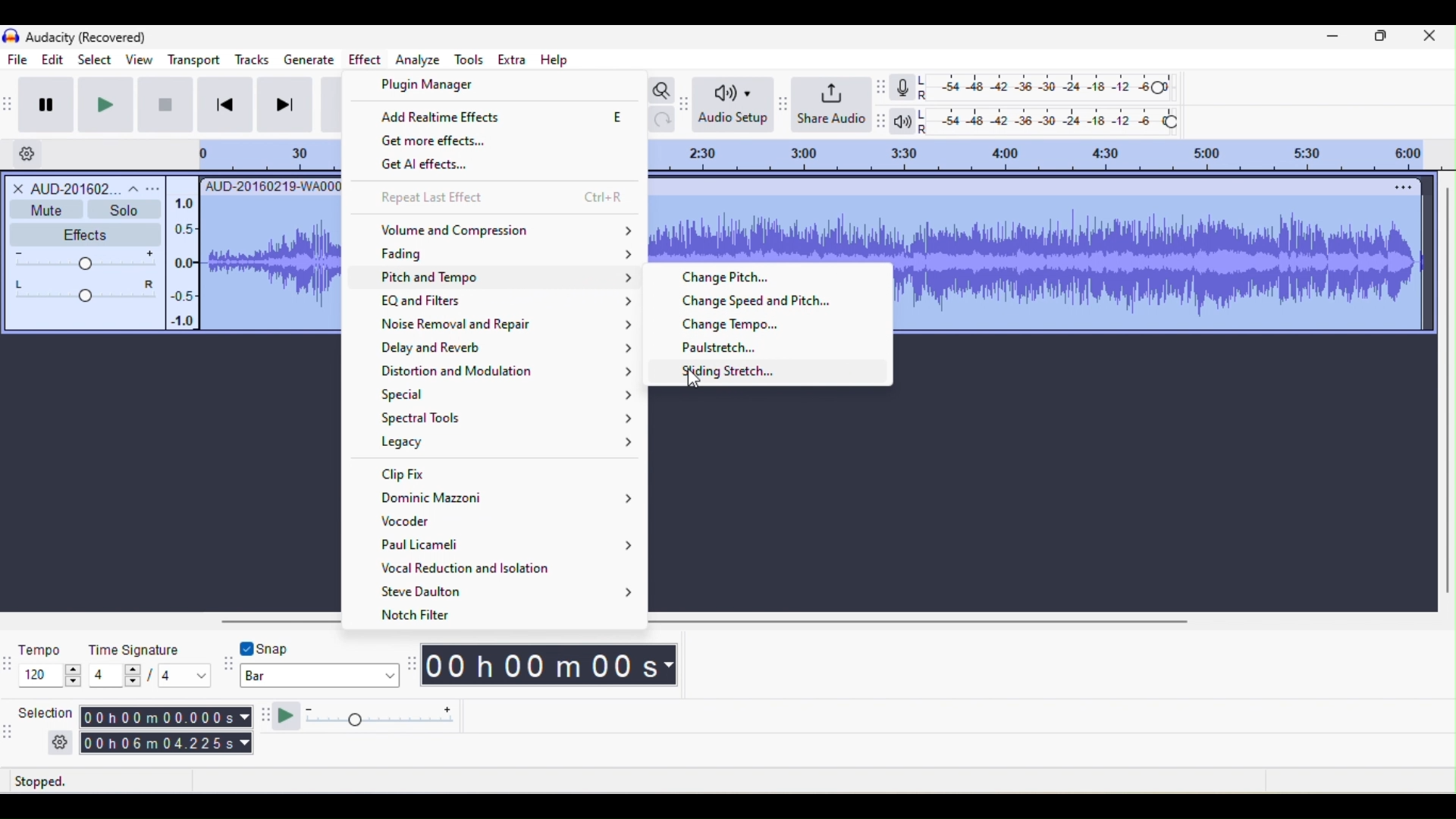 The width and height of the screenshot is (1456, 819). Describe the element at coordinates (78, 234) in the screenshot. I see `Effects` at that location.